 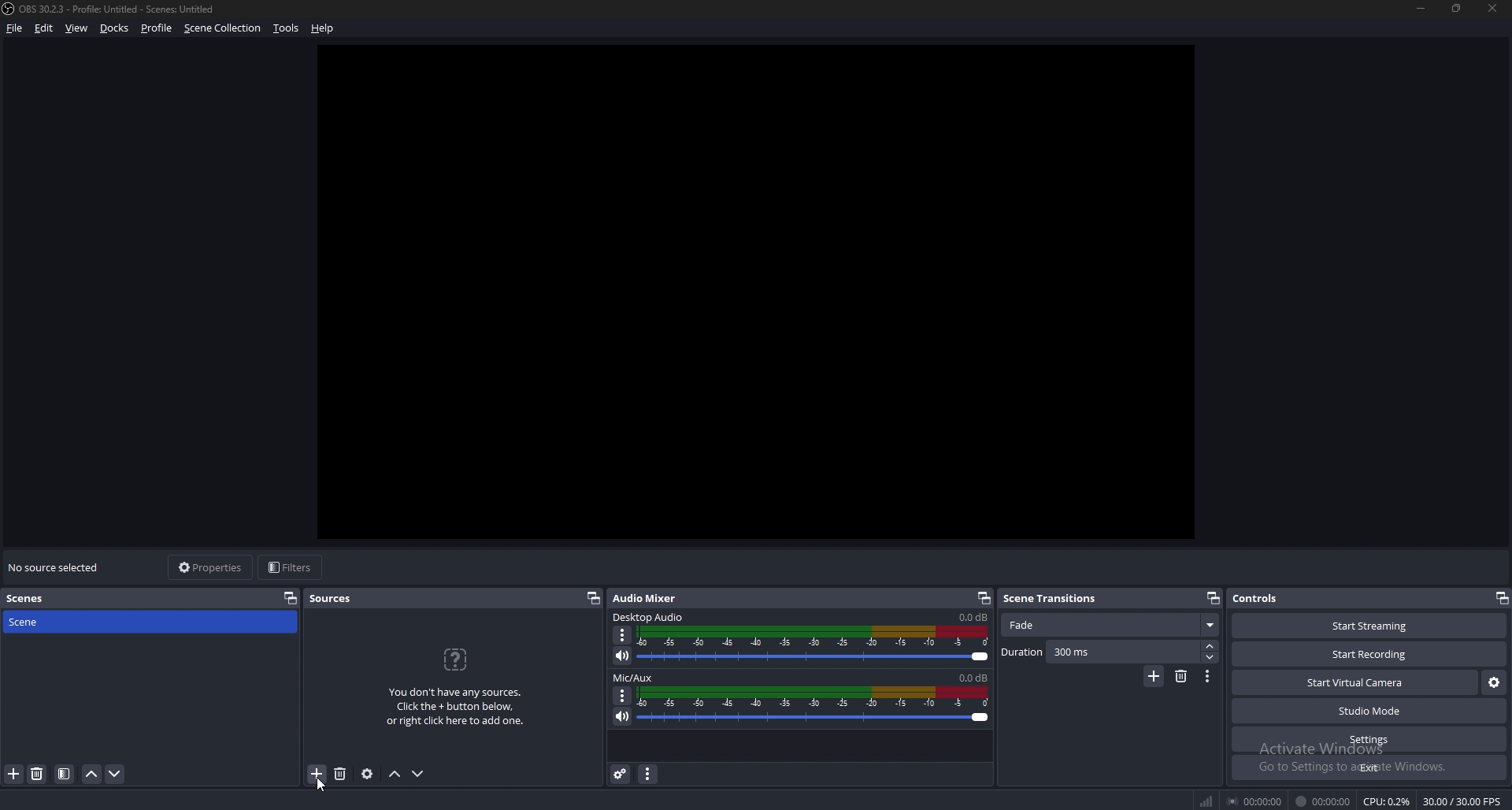 I want to click on Add configurable transitions, so click(x=1154, y=677).